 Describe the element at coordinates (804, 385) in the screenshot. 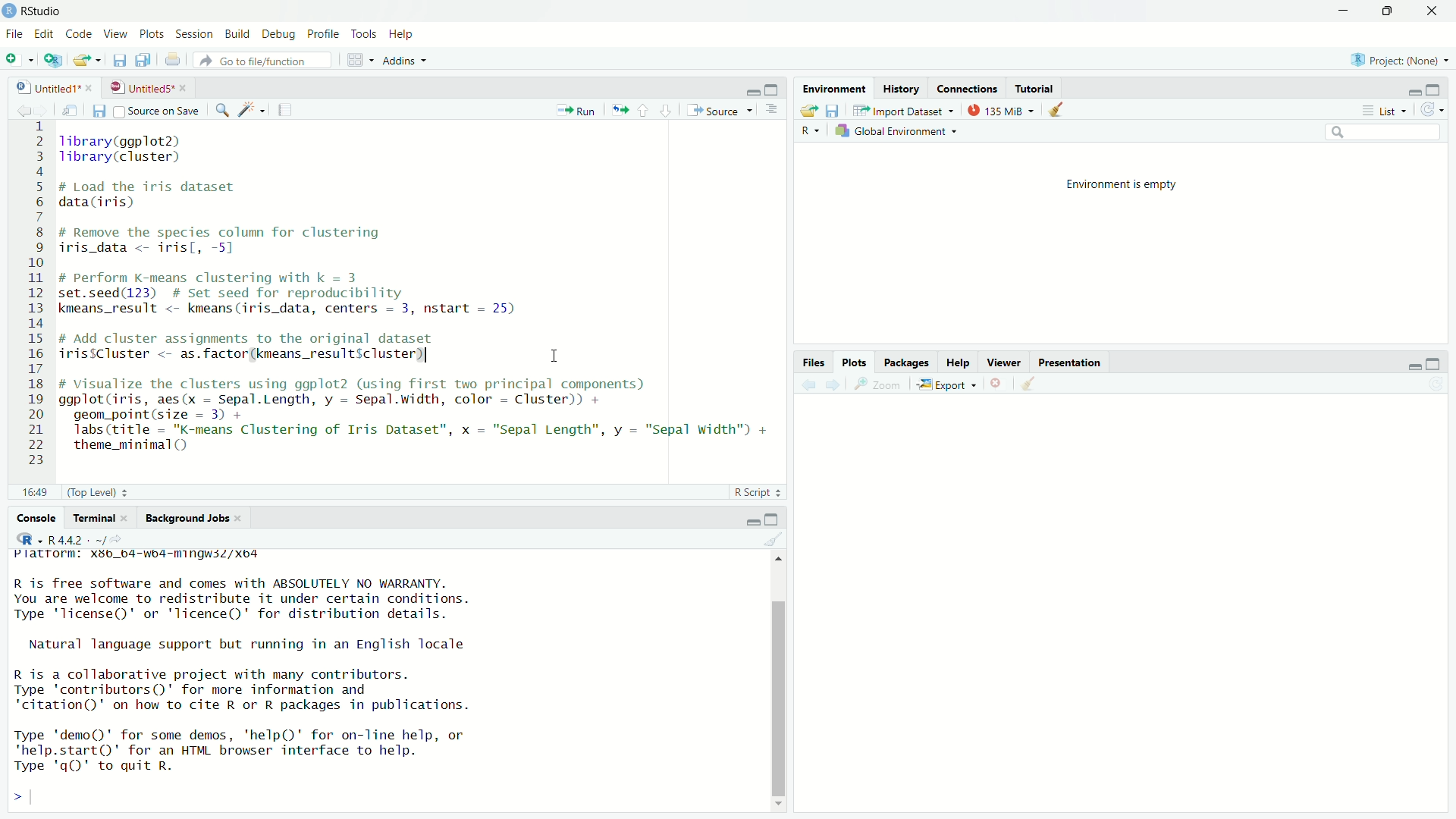

I see `previous plot` at that location.